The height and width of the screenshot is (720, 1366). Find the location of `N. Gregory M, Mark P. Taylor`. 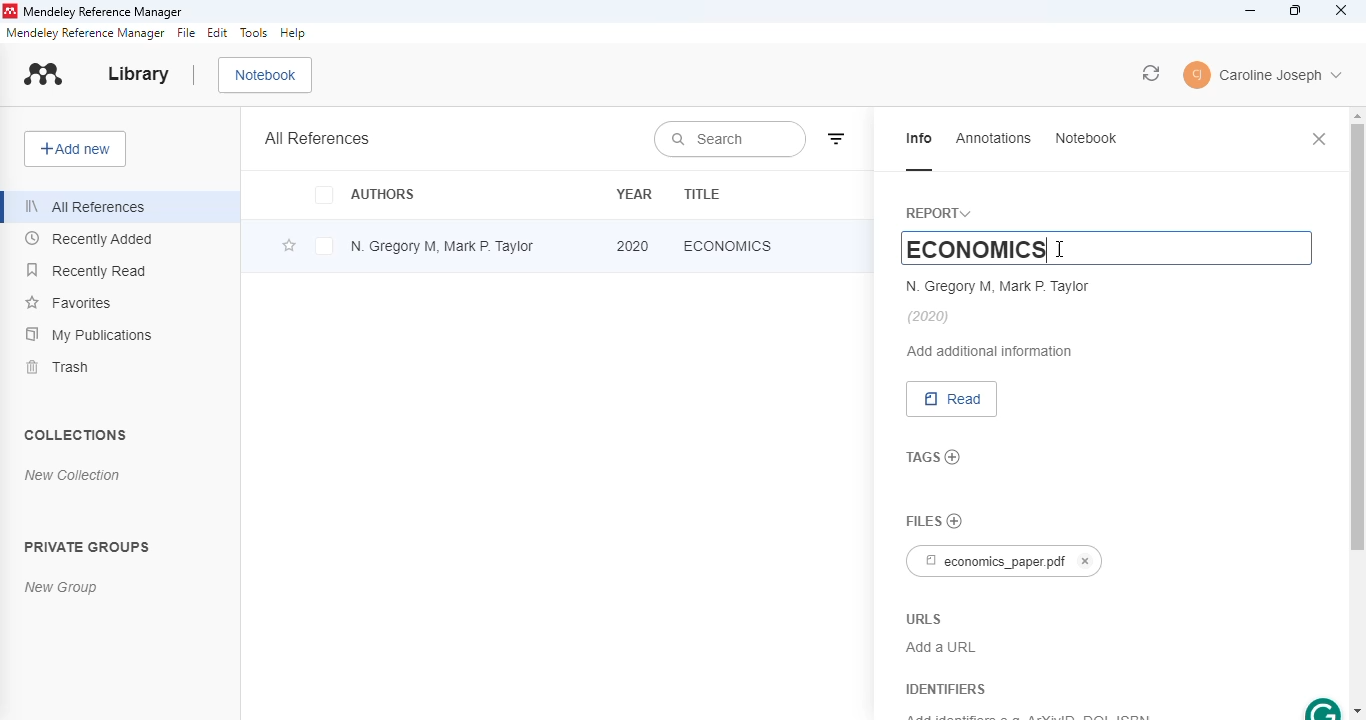

N. Gregory M, Mark P. Taylor is located at coordinates (999, 286).